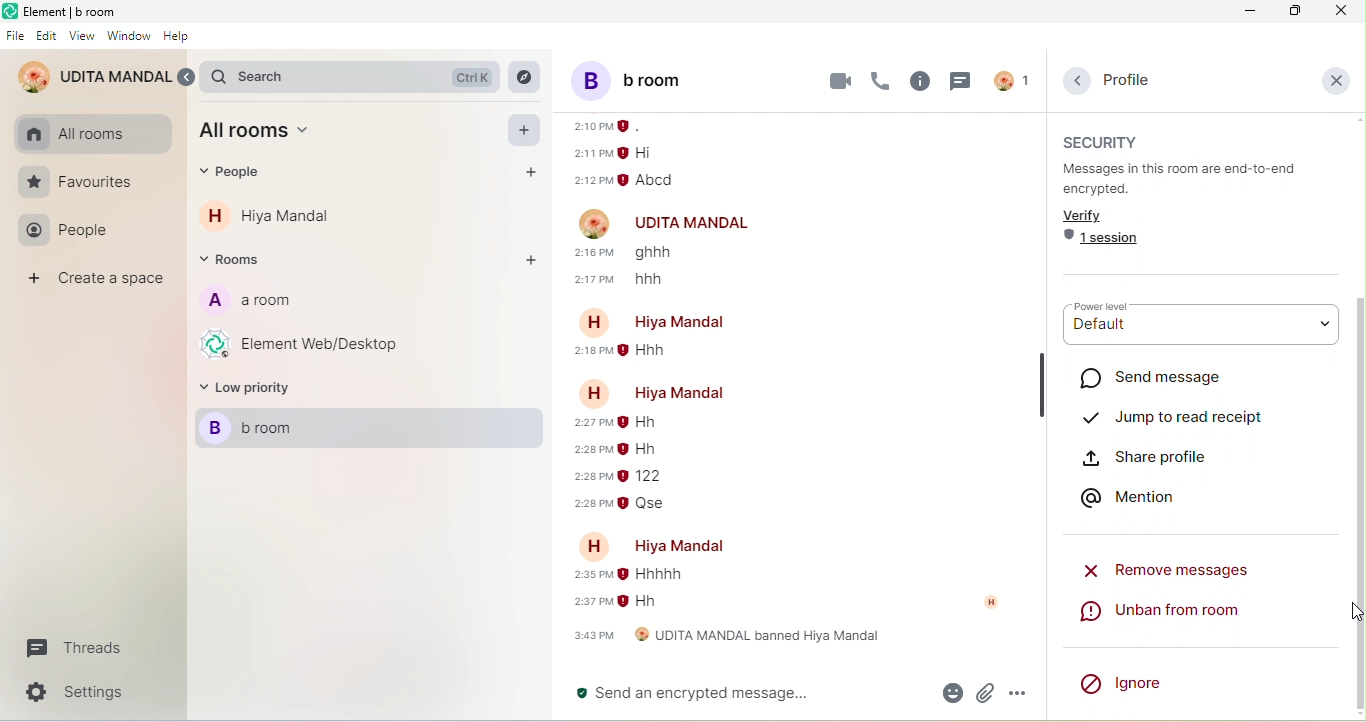 The width and height of the screenshot is (1366, 722). What do you see at coordinates (47, 36) in the screenshot?
I see `edit` at bounding box center [47, 36].